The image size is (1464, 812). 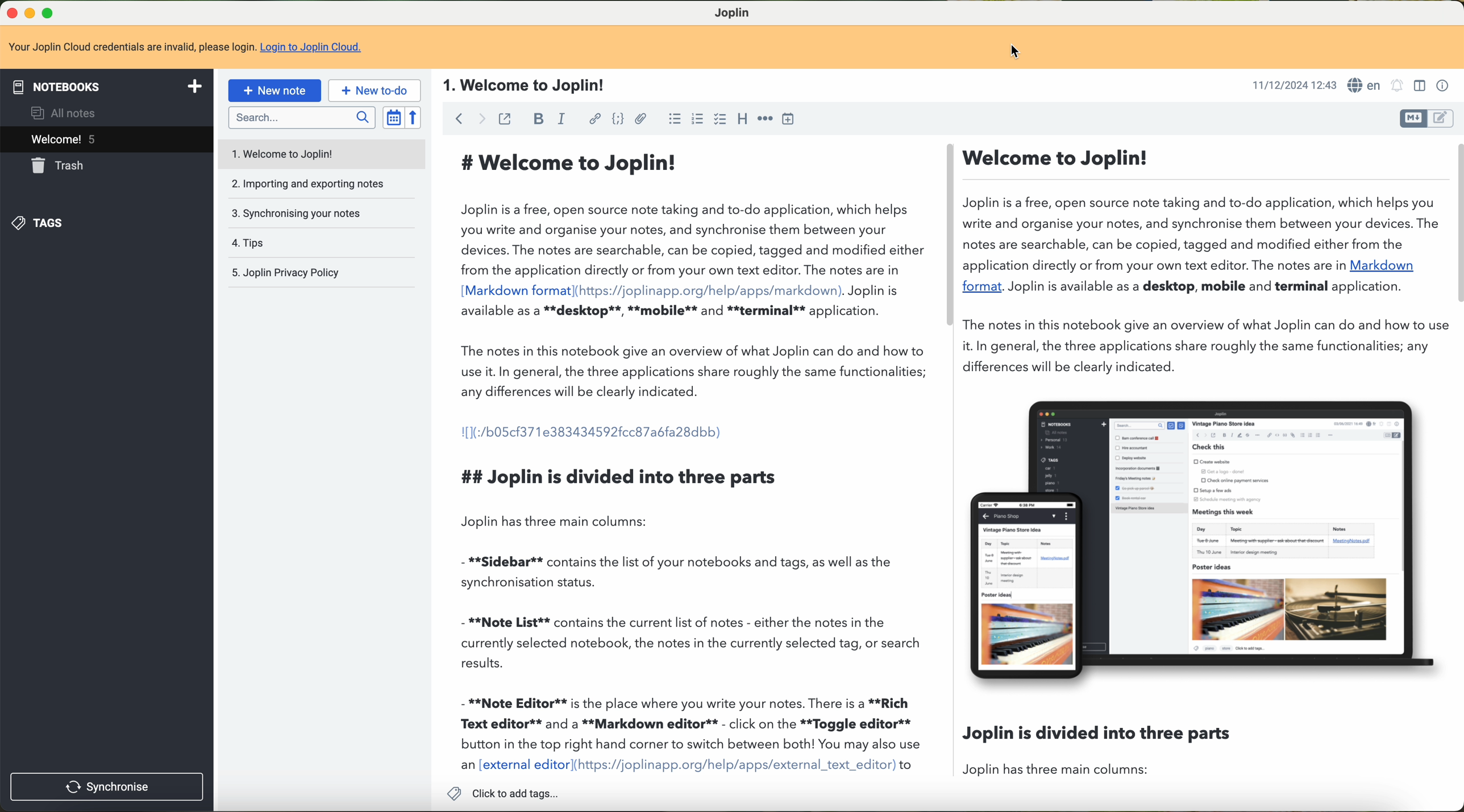 I want to click on tags, so click(x=44, y=224).